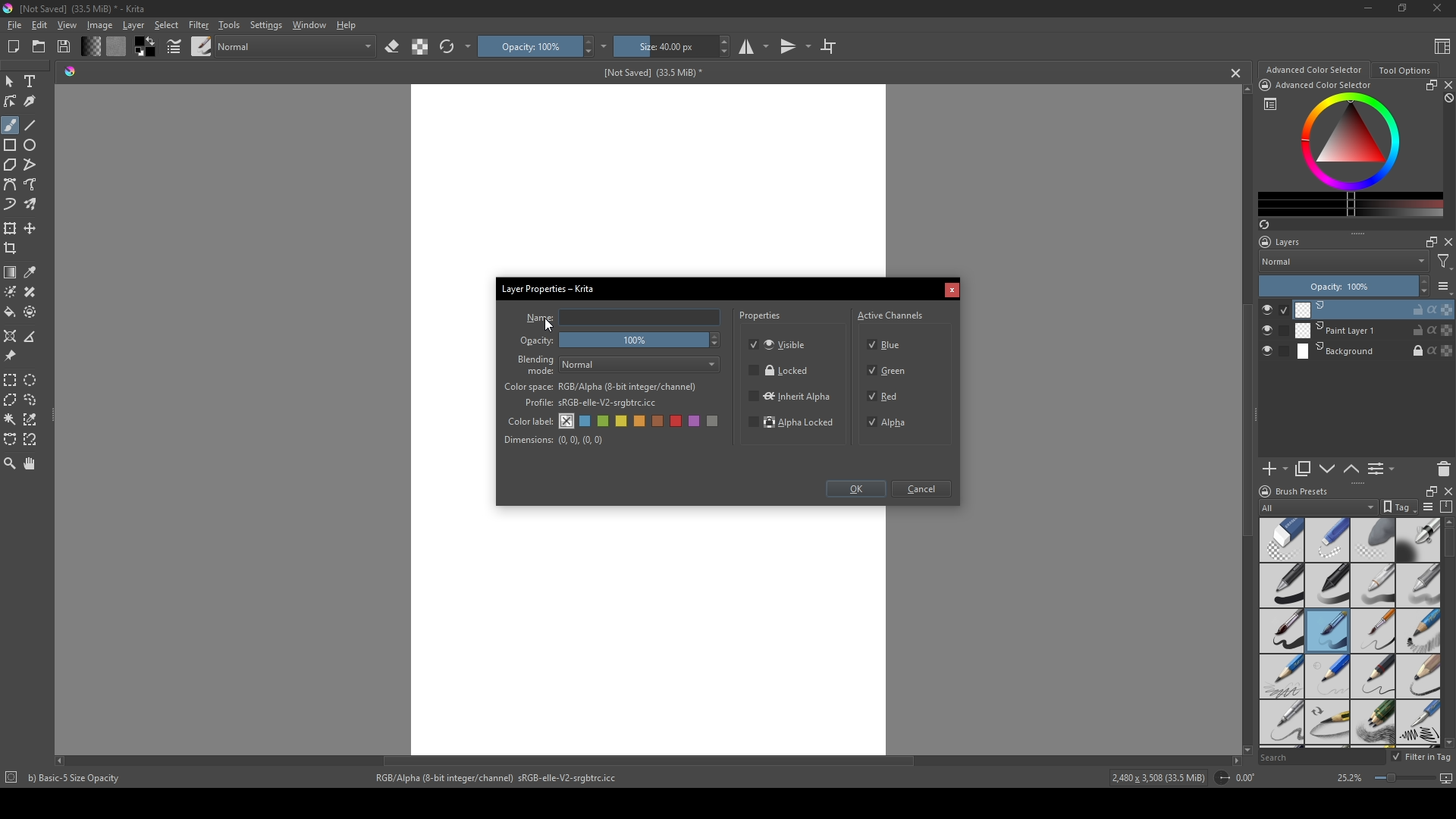 The height and width of the screenshot is (819, 1456). Describe the element at coordinates (1419, 676) in the screenshot. I see `pencil` at that location.